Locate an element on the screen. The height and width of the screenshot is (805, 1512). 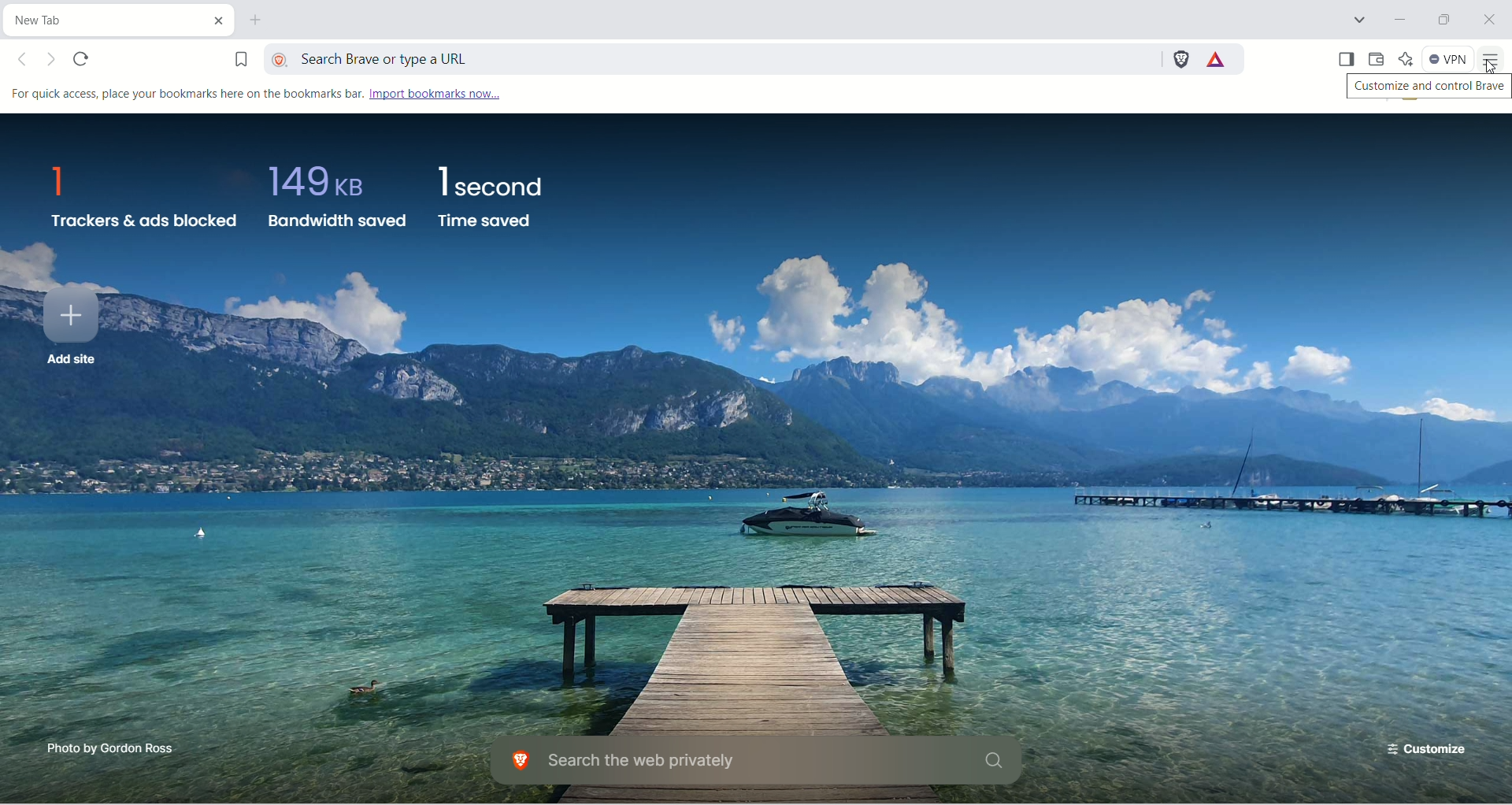
close tab is located at coordinates (214, 18).